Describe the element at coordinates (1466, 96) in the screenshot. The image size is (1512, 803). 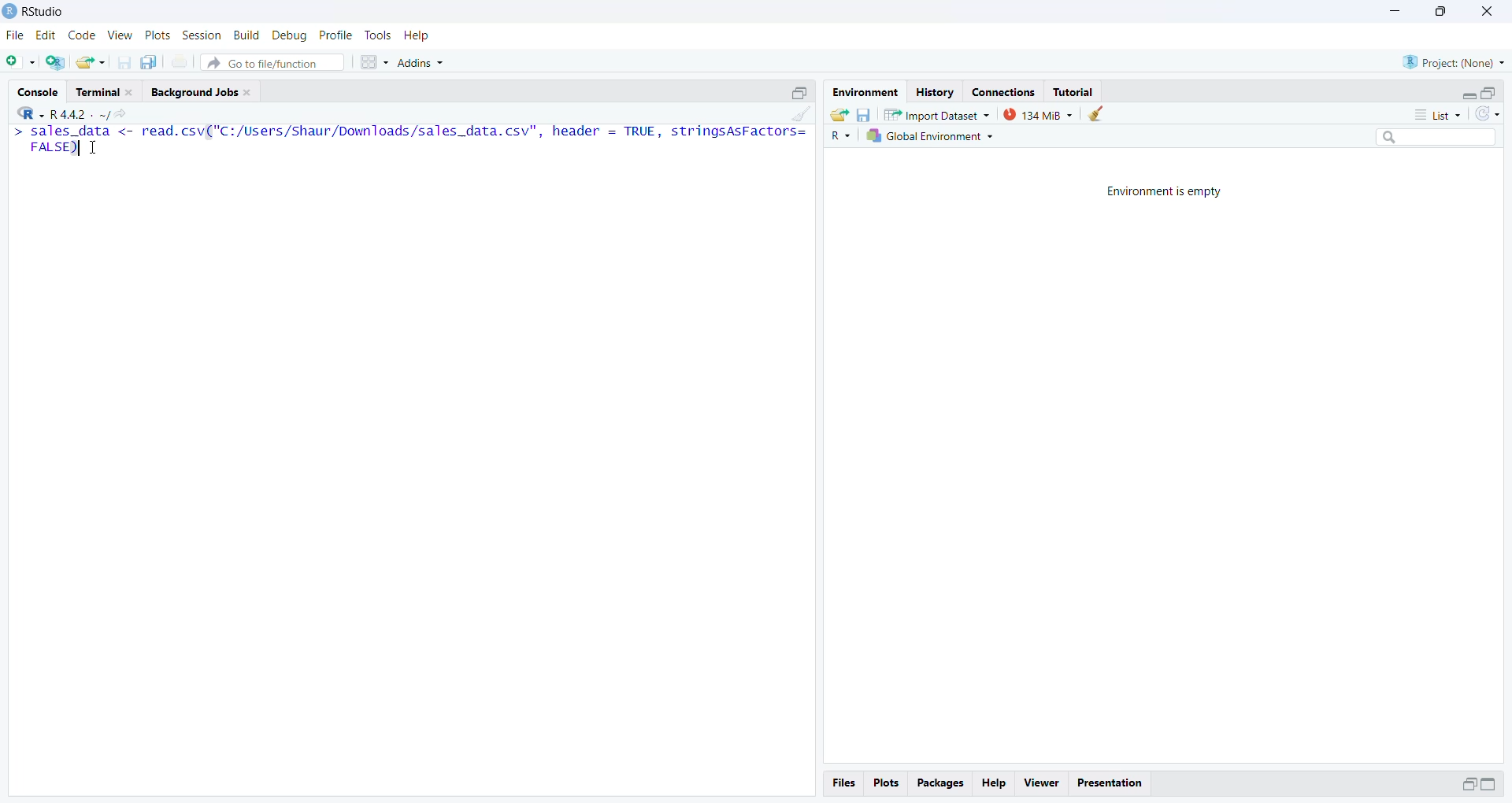
I see `Expand/Collapse` at that location.